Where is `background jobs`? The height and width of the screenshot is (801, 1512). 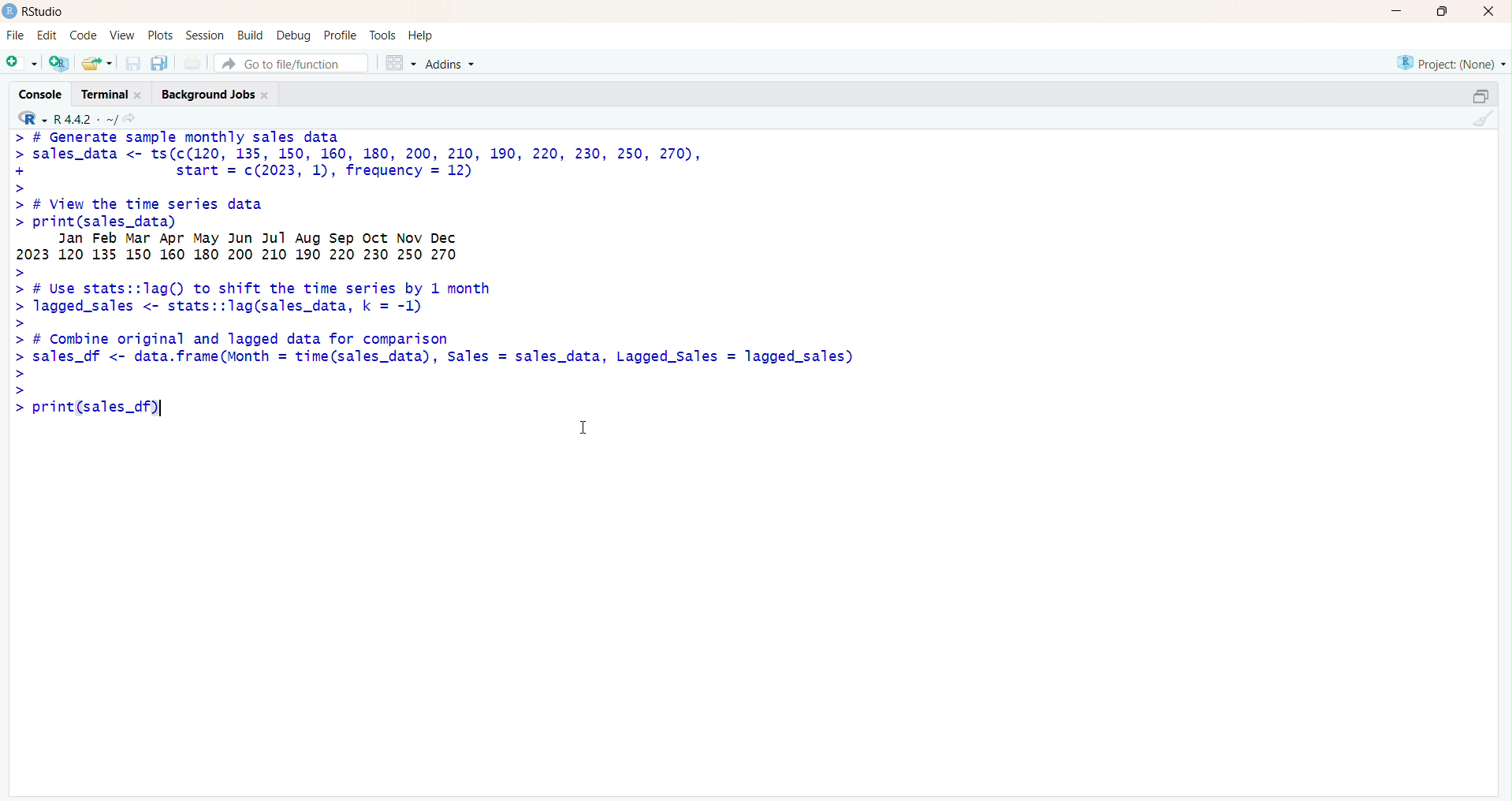 background jobs is located at coordinates (219, 95).